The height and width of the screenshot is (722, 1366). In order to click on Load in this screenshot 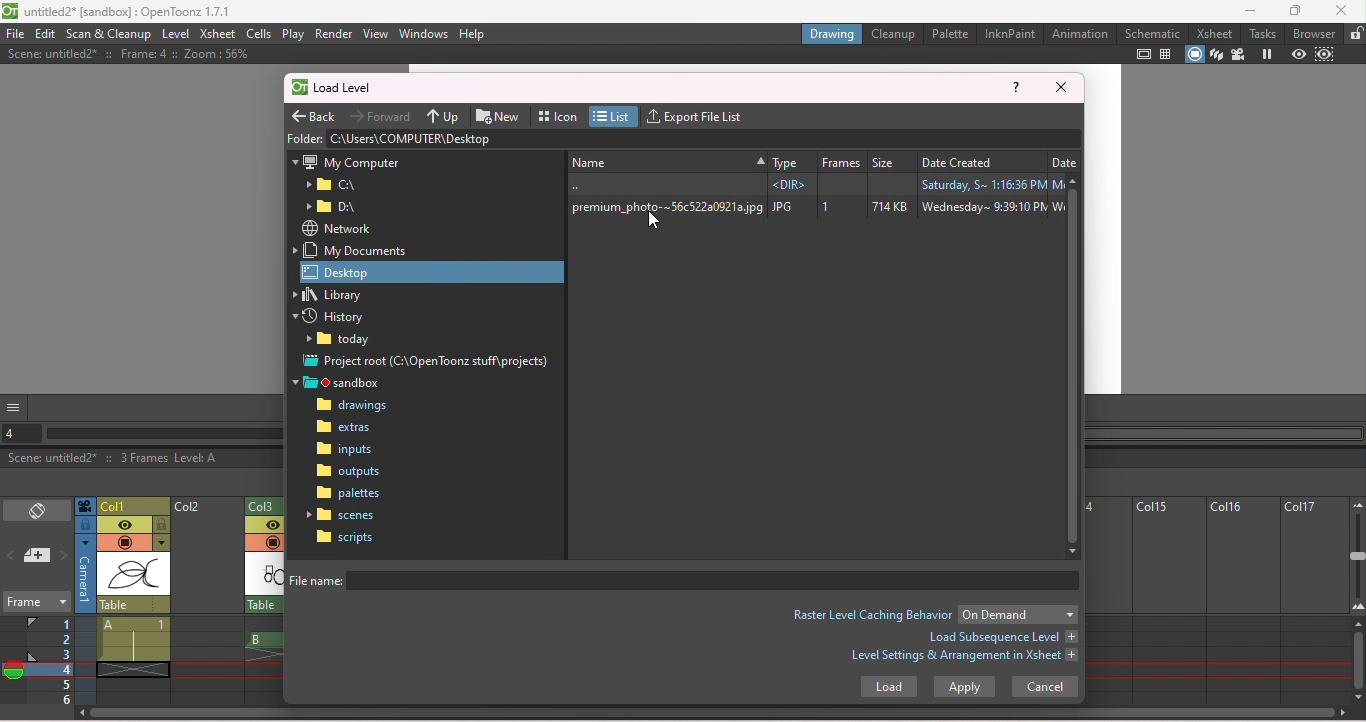, I will do `click(888, 689)`.